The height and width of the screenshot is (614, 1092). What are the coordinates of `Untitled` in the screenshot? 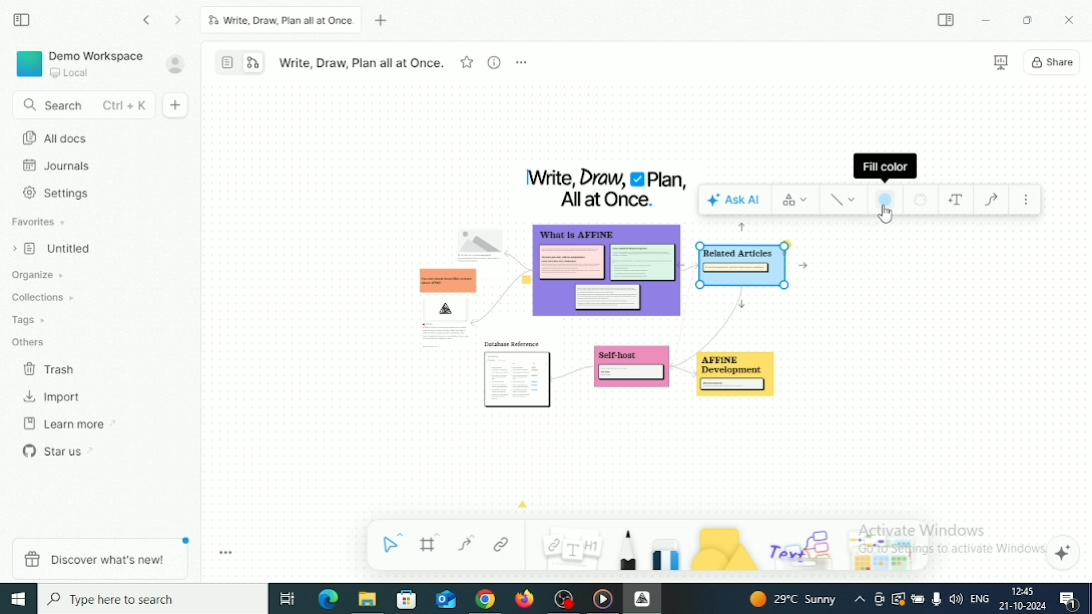 It's located at (57, 250).